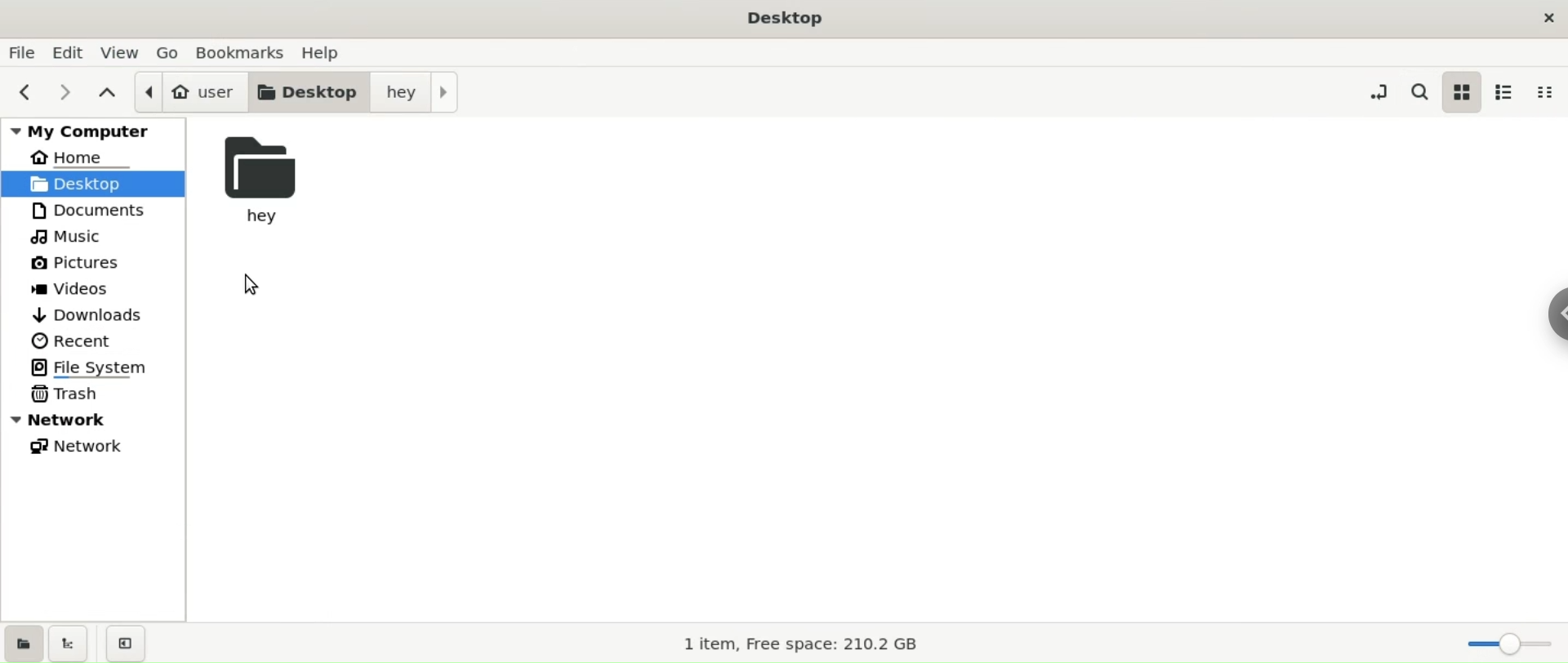 The image size is (1568, 663). Describe the element at coordinates (1544, 92) in the screenshot. I see `compact view` at that location.